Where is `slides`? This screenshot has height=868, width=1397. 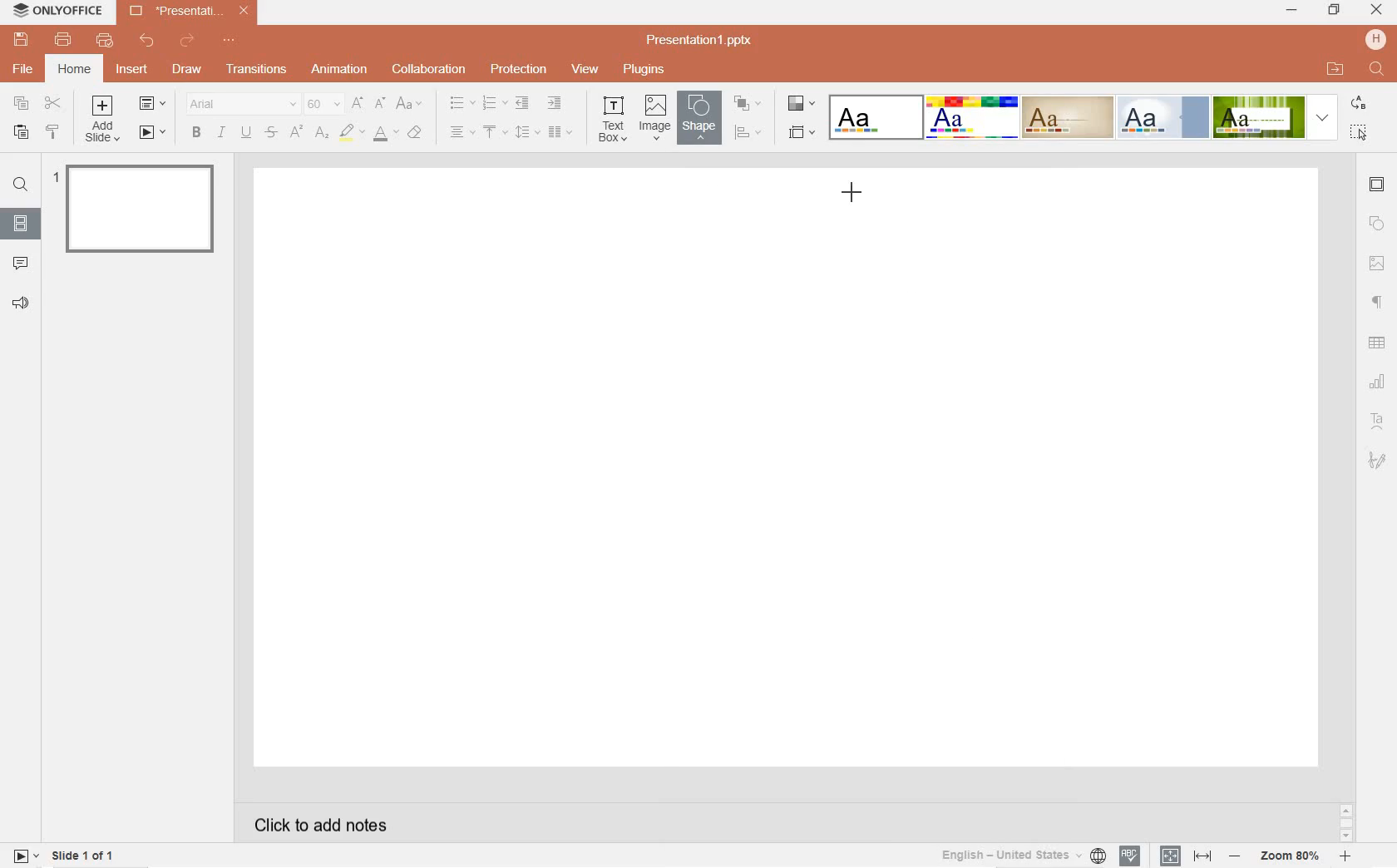 slides is located at coordinates (20, 220).